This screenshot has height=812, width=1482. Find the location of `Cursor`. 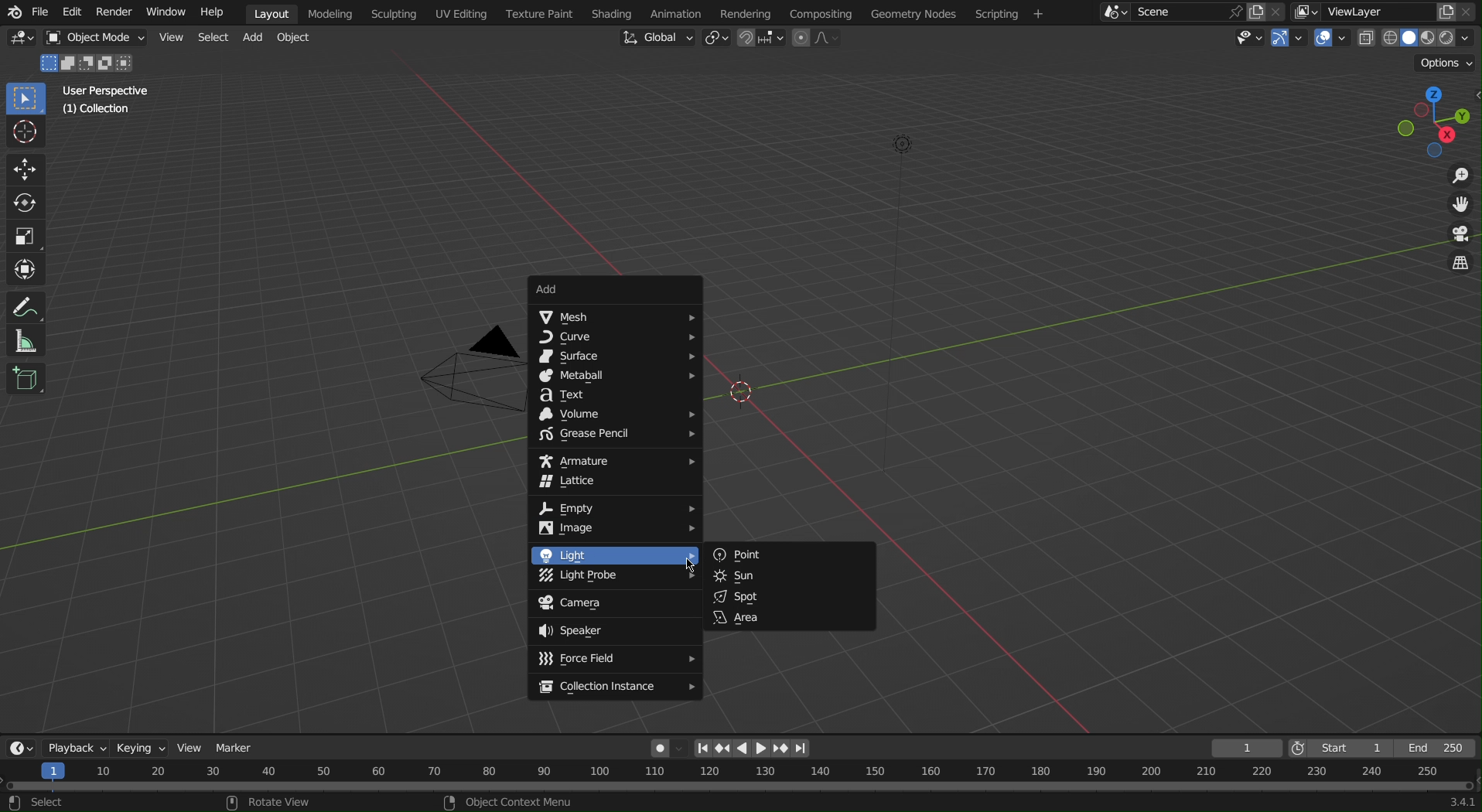

Cursor is located at coordinates (27, 133).